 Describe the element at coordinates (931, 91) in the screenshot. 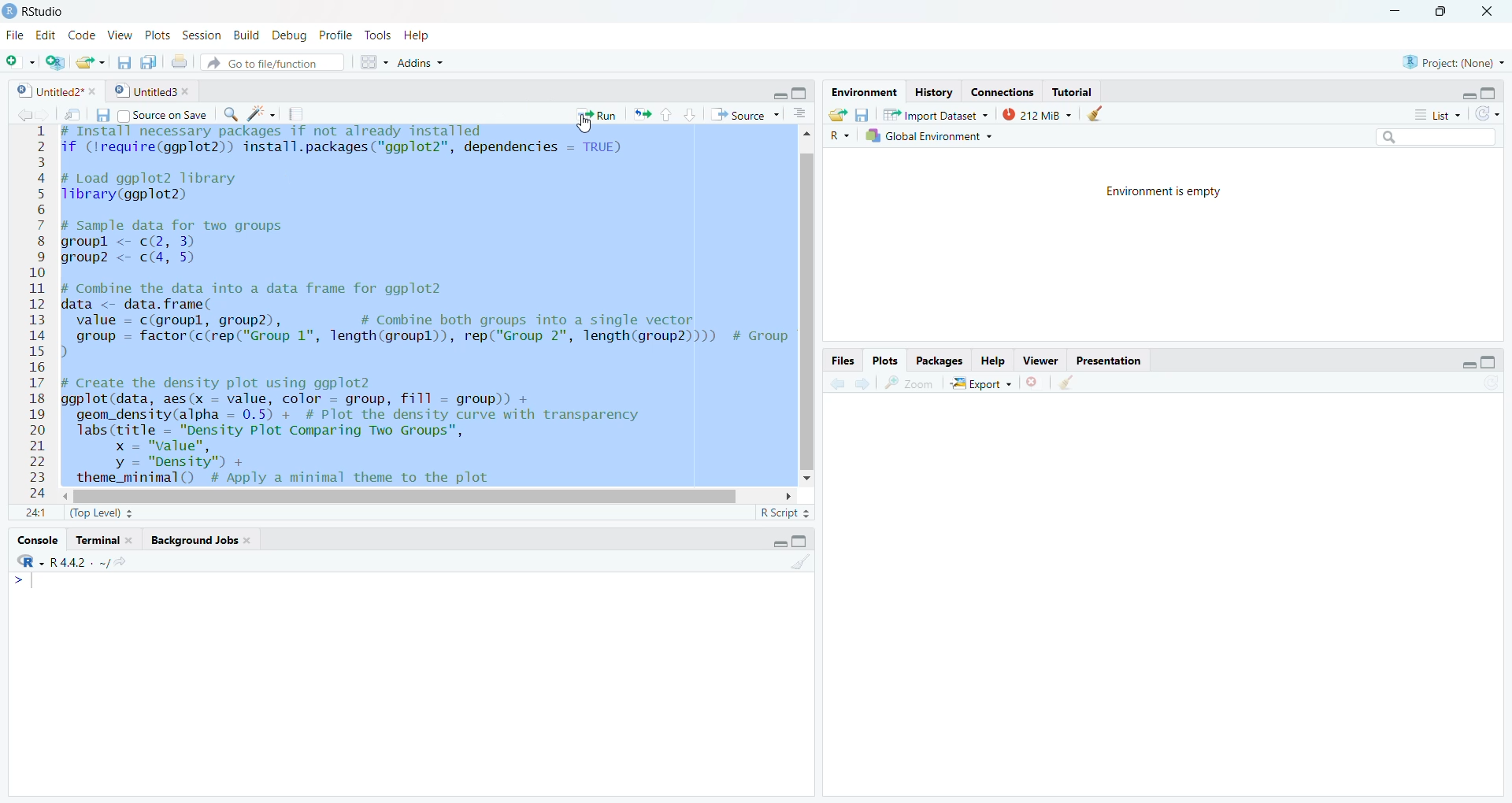

I see `history` at that location.